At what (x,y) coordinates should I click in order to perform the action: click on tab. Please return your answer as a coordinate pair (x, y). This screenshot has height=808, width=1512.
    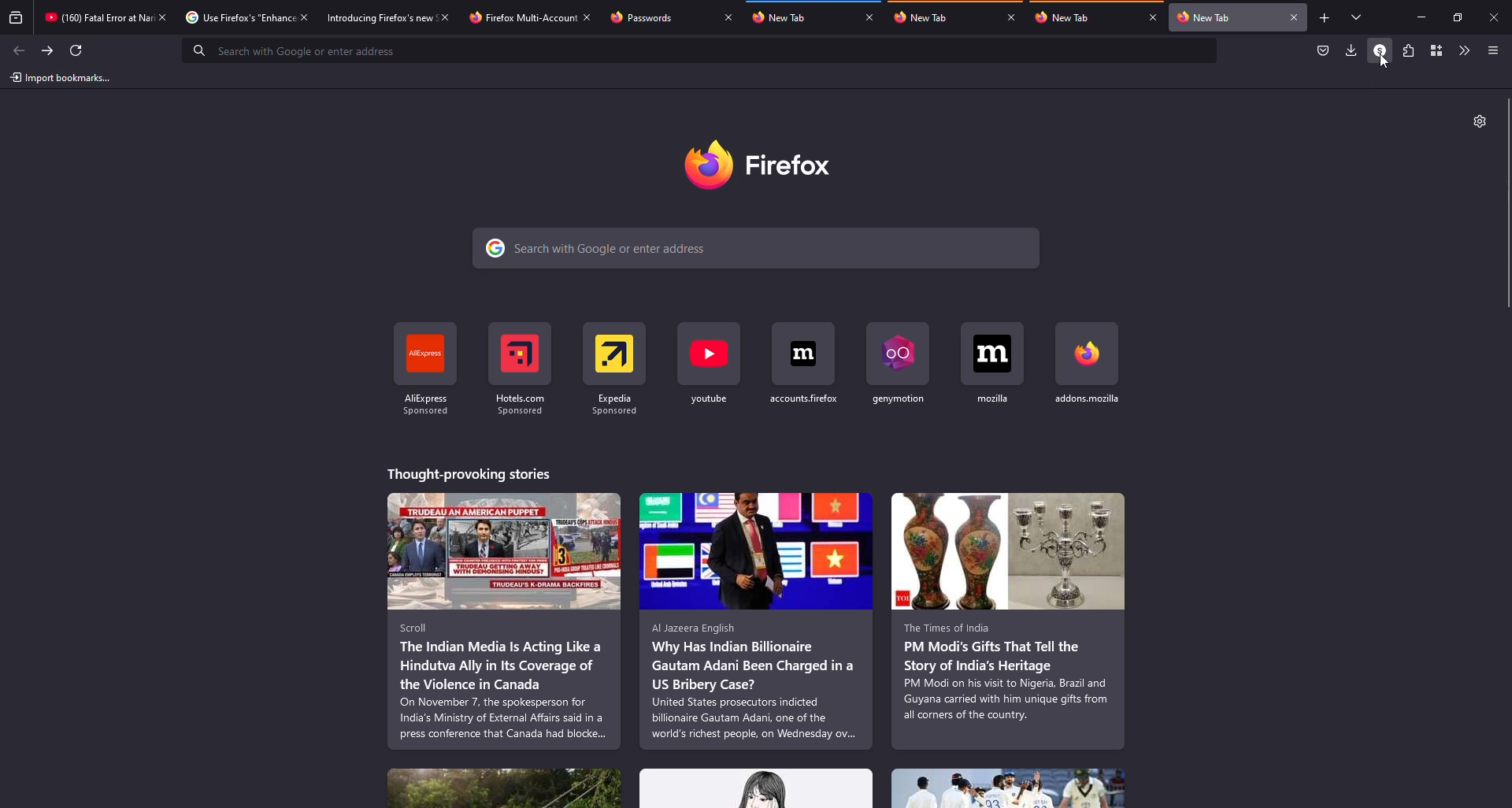
    Looking at the image, I should click on (515, 18).